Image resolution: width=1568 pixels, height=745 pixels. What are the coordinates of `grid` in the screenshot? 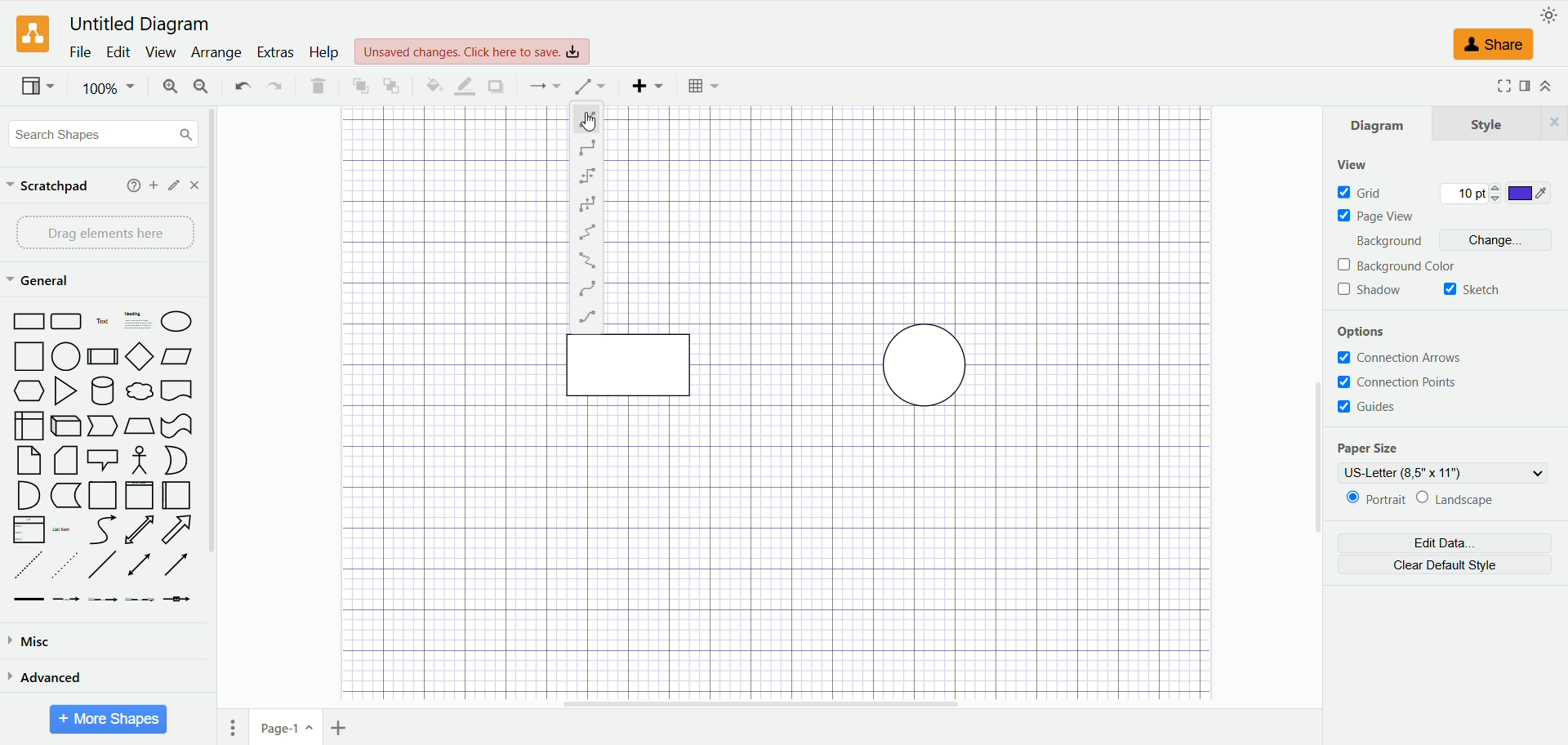 It's located at (1361, 192).